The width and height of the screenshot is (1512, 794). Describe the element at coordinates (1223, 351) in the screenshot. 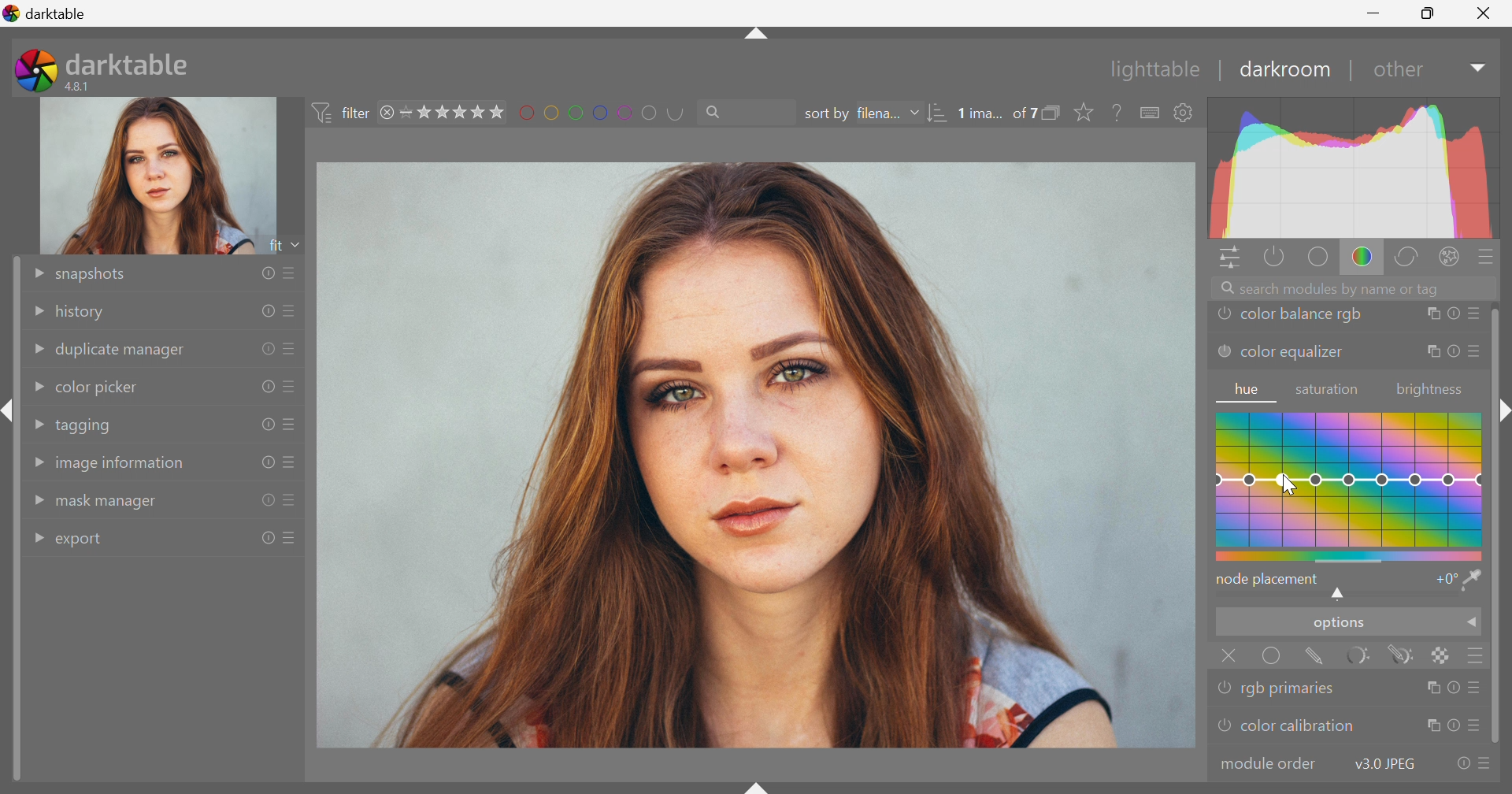

I see `'color equalizer' is switched off` at that location.